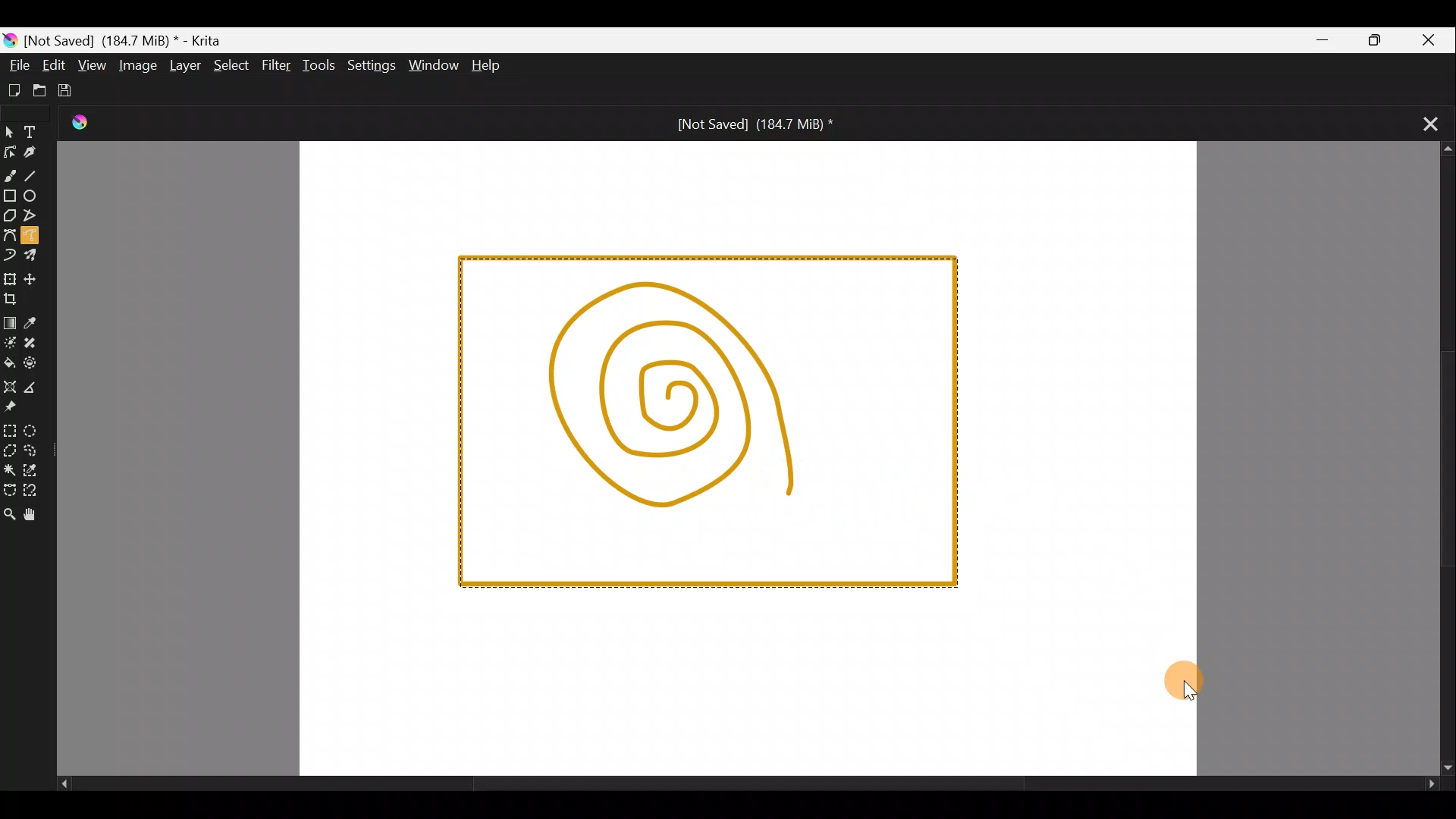 Image resolution: width=1456 pixels, height=819 pixels. Describe the element at coordinates (495, 64) in the screenshot. I see `Help` at that location.